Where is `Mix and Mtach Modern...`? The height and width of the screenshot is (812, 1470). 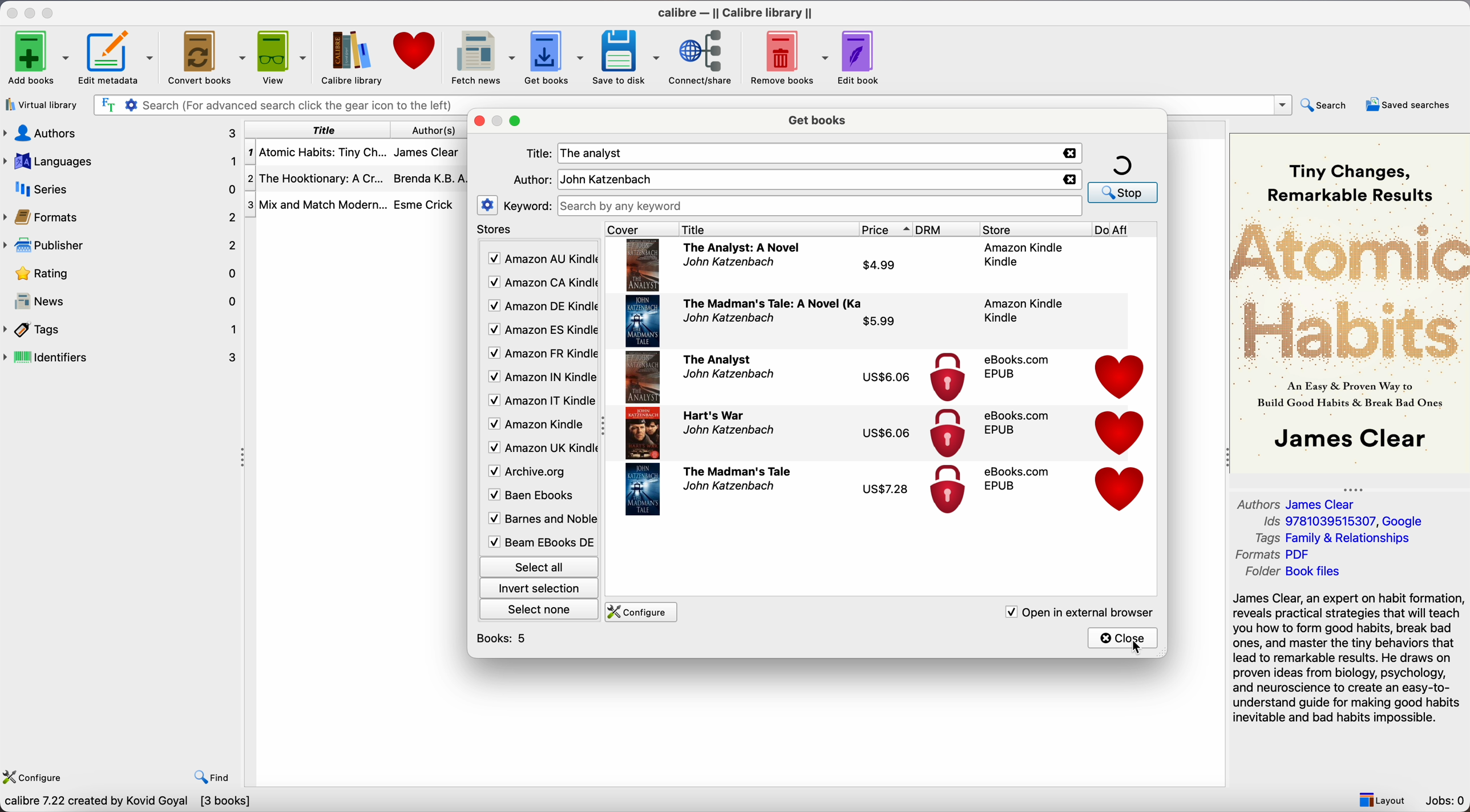 Mix and Mtach Modern... is located at coordinates (315, 204).